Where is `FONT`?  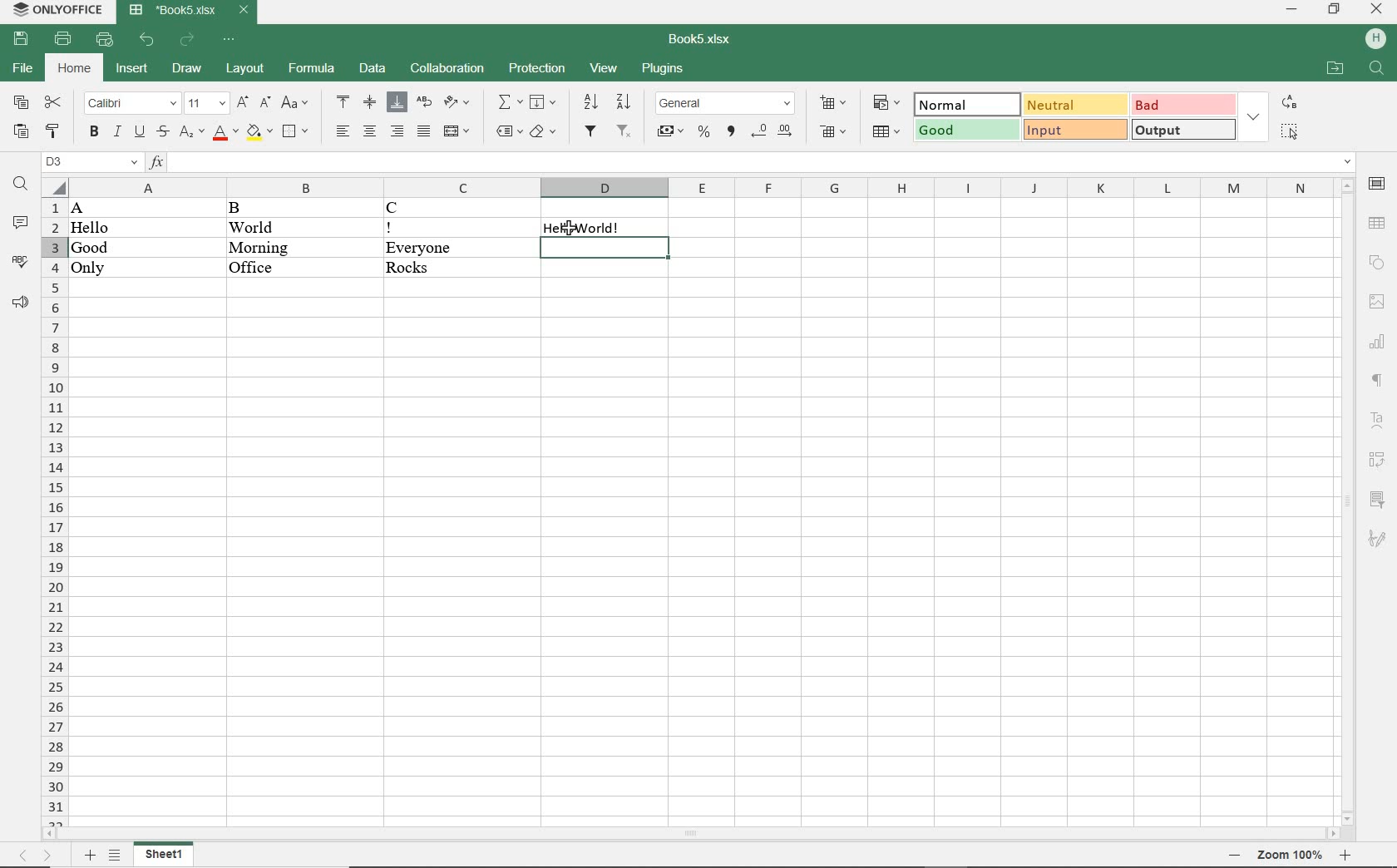 FONT is located at coordinates (131, 103).